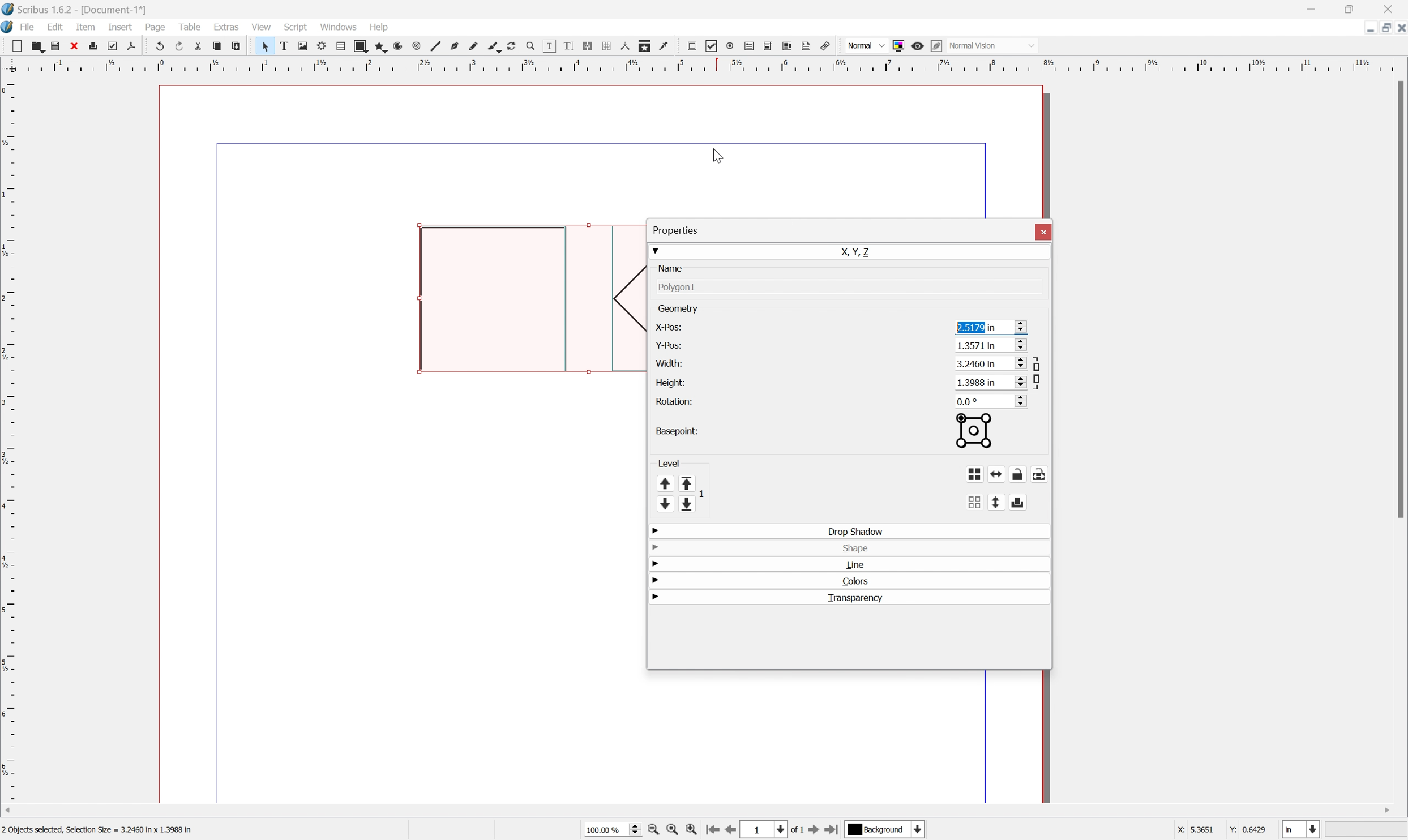 This screenshot has height=840, width=1408. I want to click on Cursor, so click(720, 158).